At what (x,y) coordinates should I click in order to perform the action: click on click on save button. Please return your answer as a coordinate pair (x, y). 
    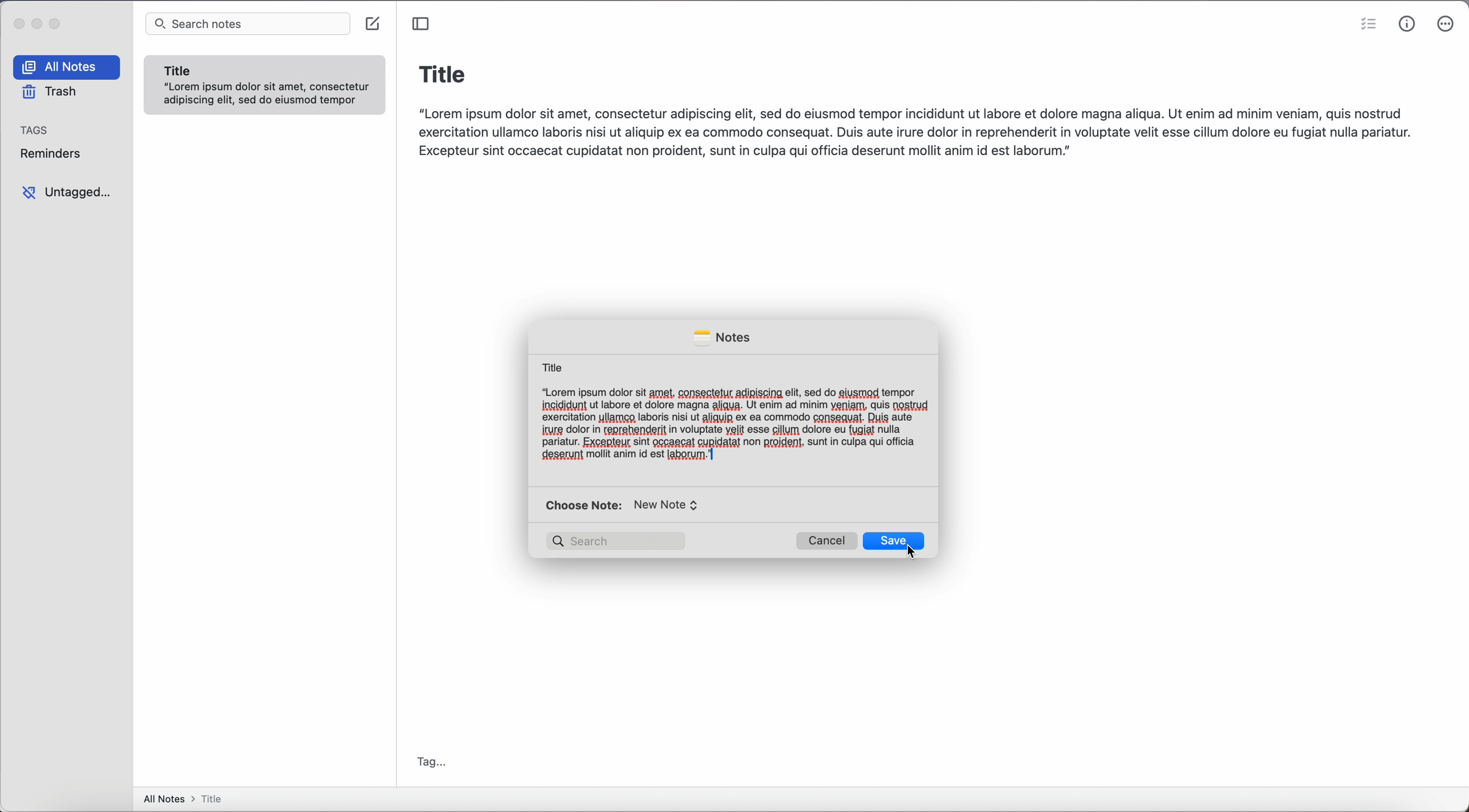
    Looking at the image, I should click on (895, 540).